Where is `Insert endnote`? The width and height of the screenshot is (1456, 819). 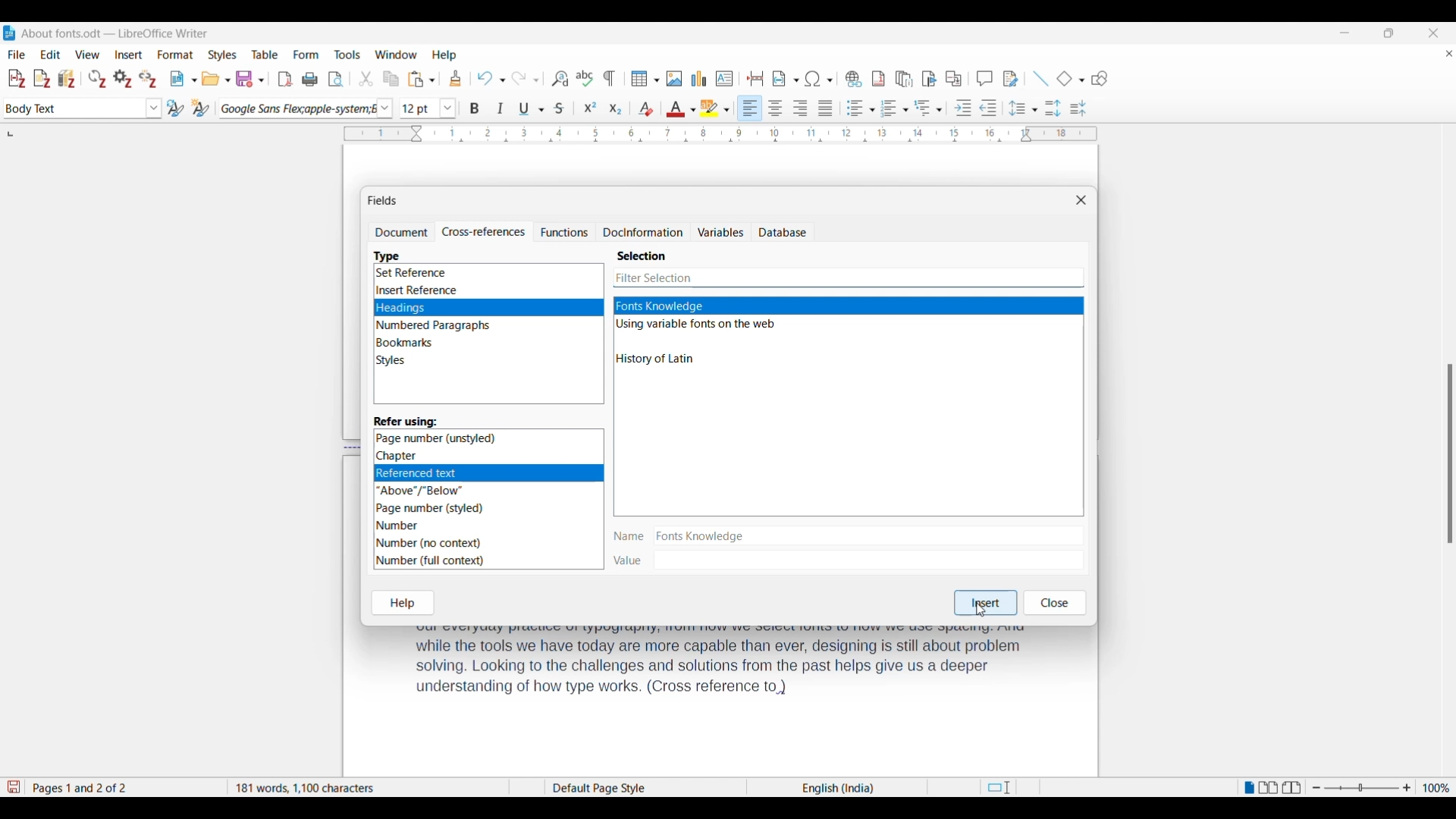
Insert endnote is located at coordinates (904, 80).